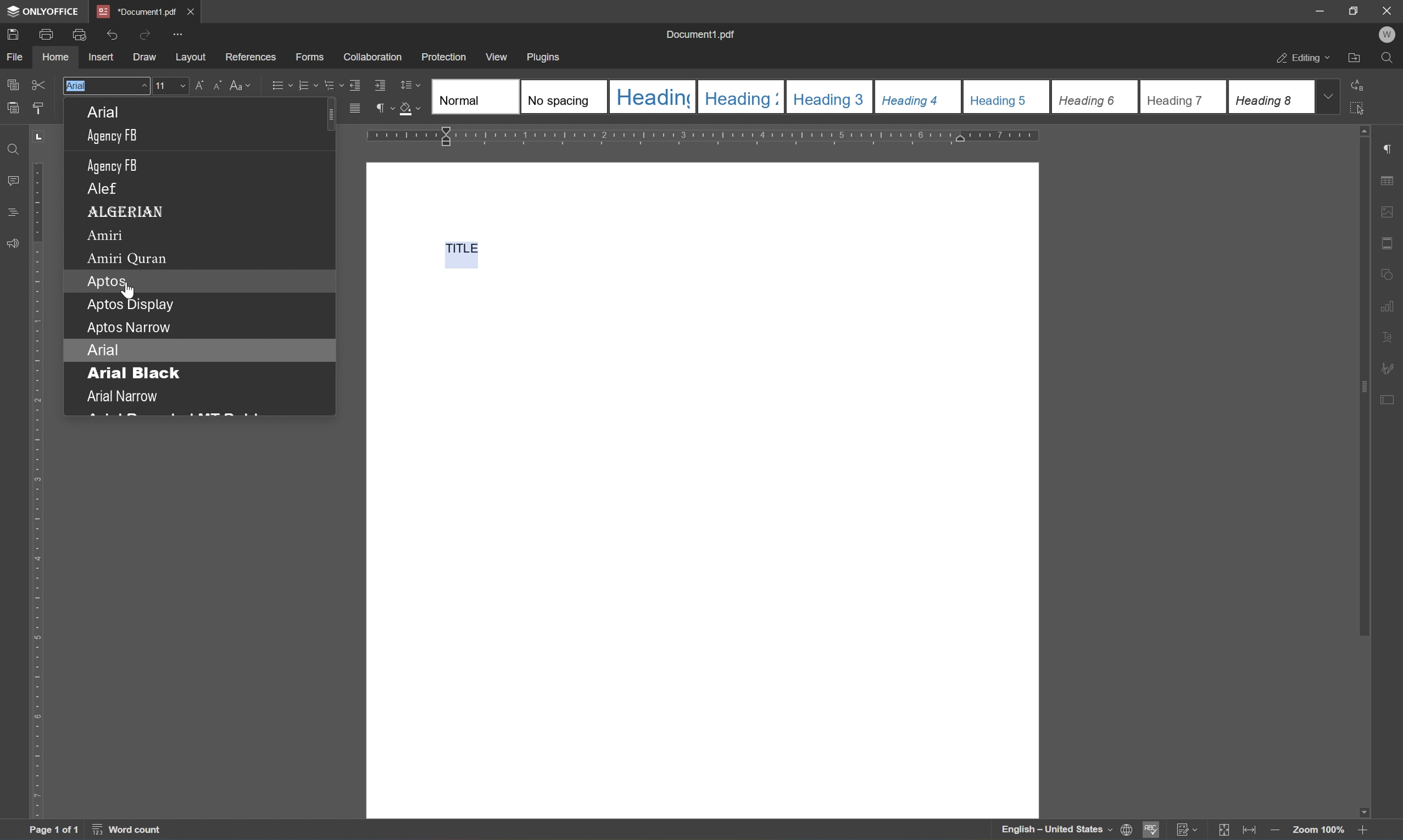 This screenshot has width=1403, height=840. I want to click on document1.pdf, so click(703, 35).